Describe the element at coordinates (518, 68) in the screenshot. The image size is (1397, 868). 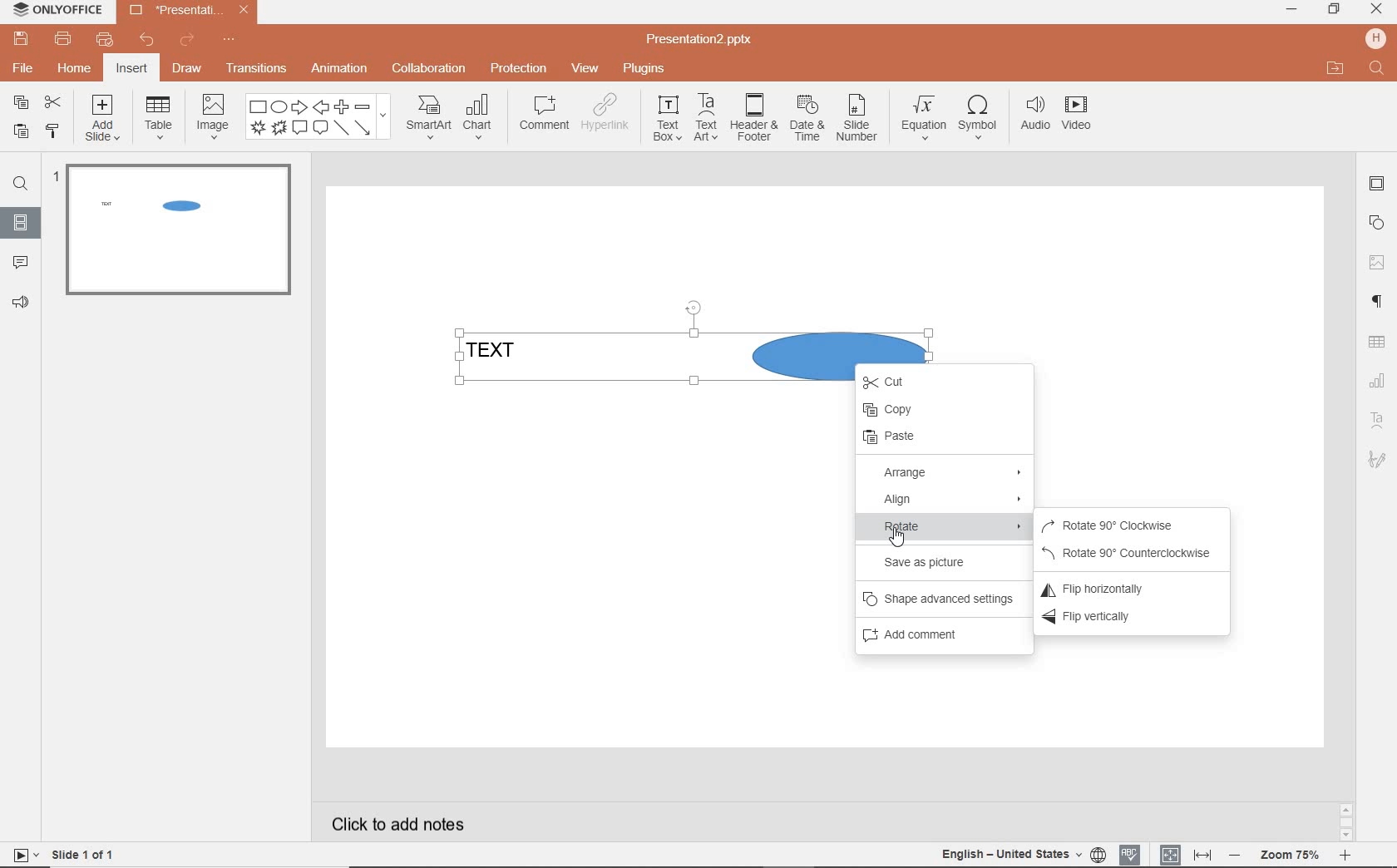
I see `protection` at that location.